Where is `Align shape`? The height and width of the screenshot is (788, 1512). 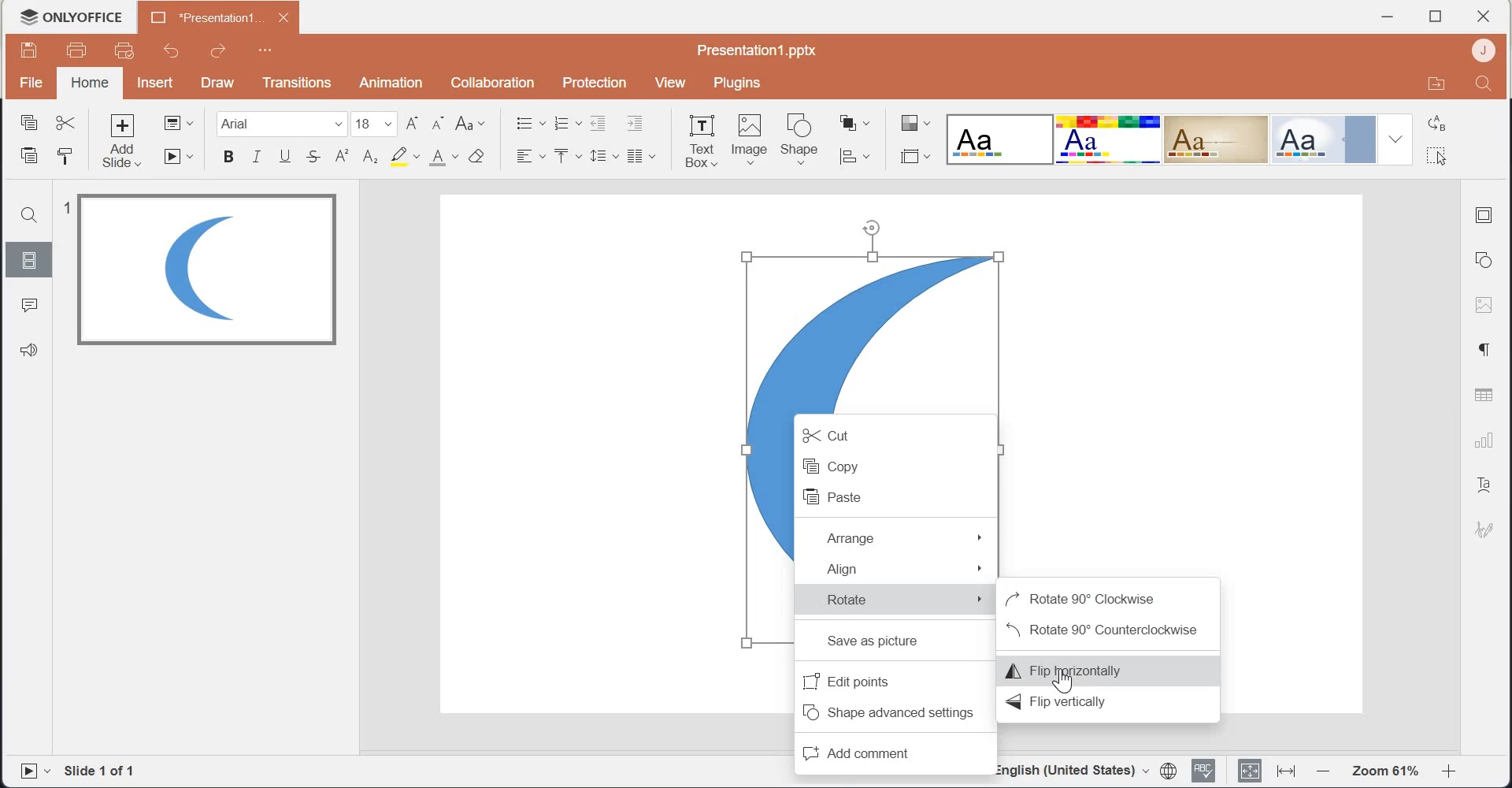 Align shape is located at coordinates (860, 158).